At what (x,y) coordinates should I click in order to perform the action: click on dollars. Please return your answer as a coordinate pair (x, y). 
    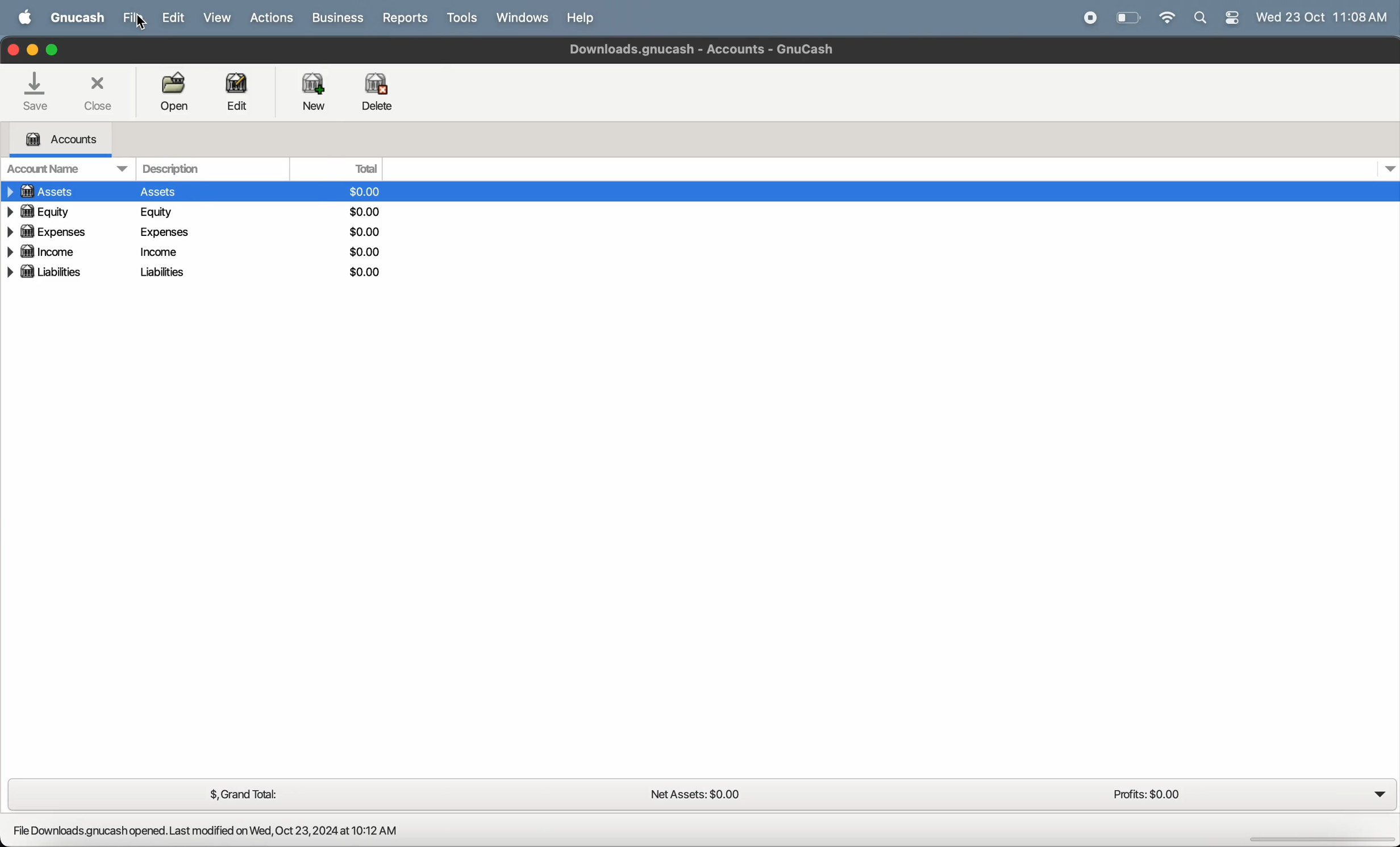
    Looking at the image, I should click on (364, 253).